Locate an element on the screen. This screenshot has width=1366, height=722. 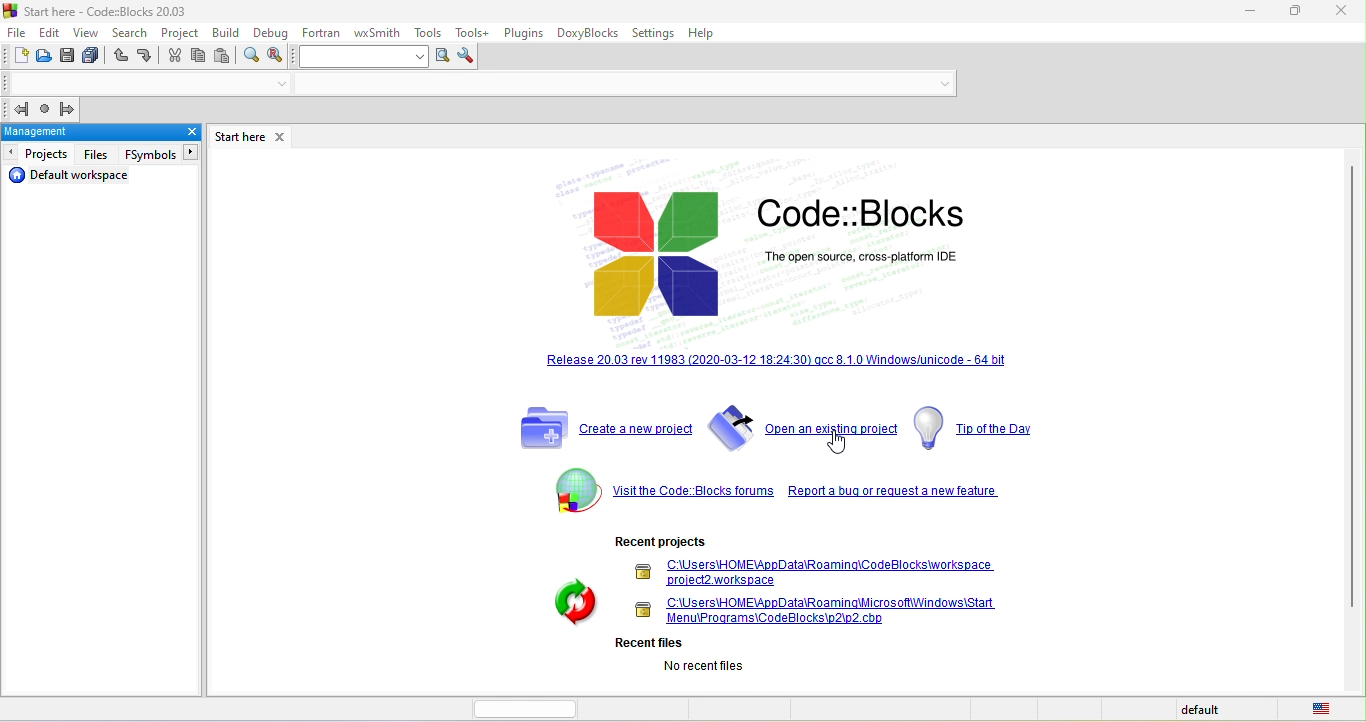
start here is located at coordinates (236, 137).